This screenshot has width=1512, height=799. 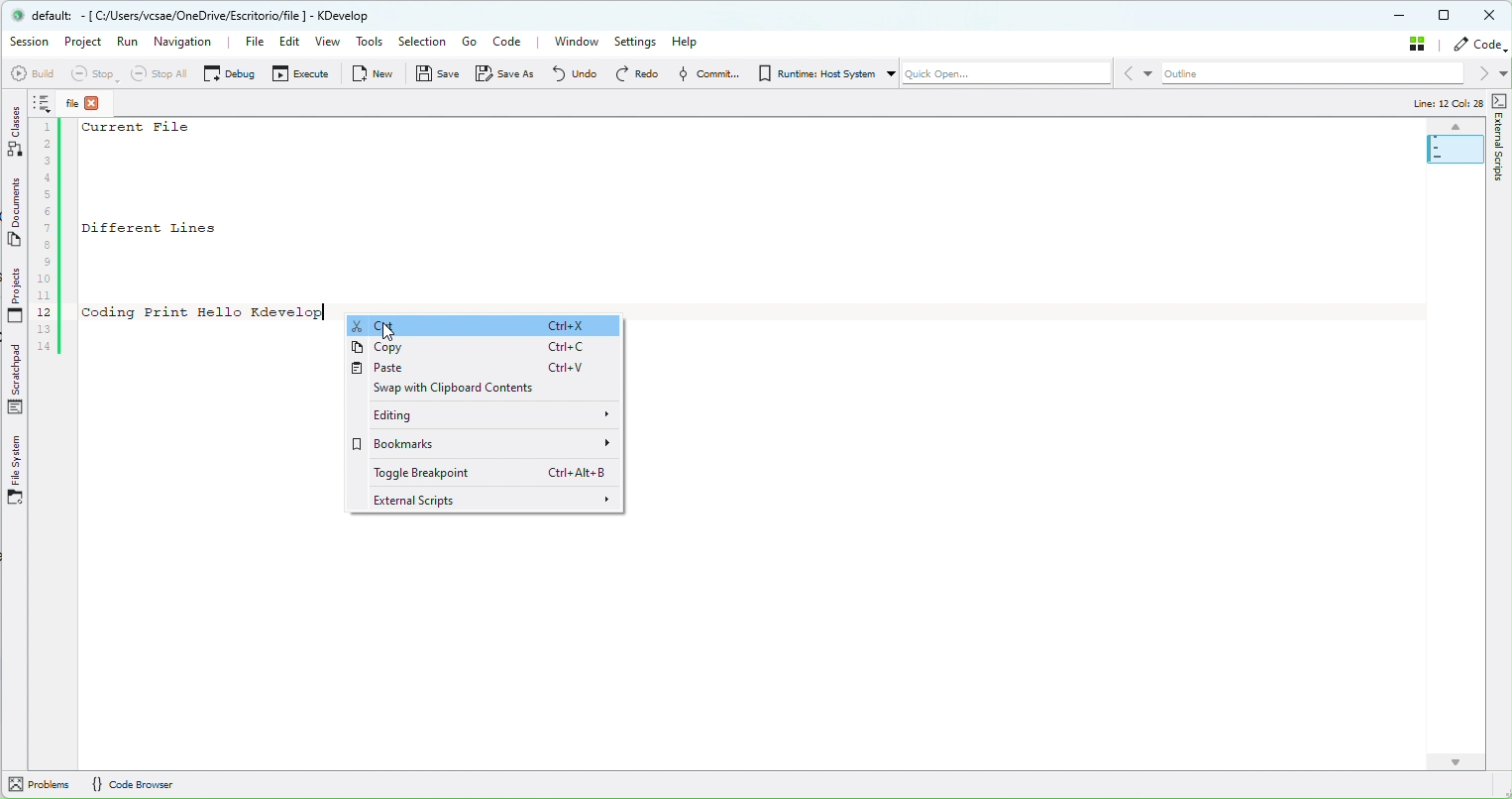 What do you see at coordinates (503, 74) in the screenshot?
I see `Save all` at bounding box center [503, 74].